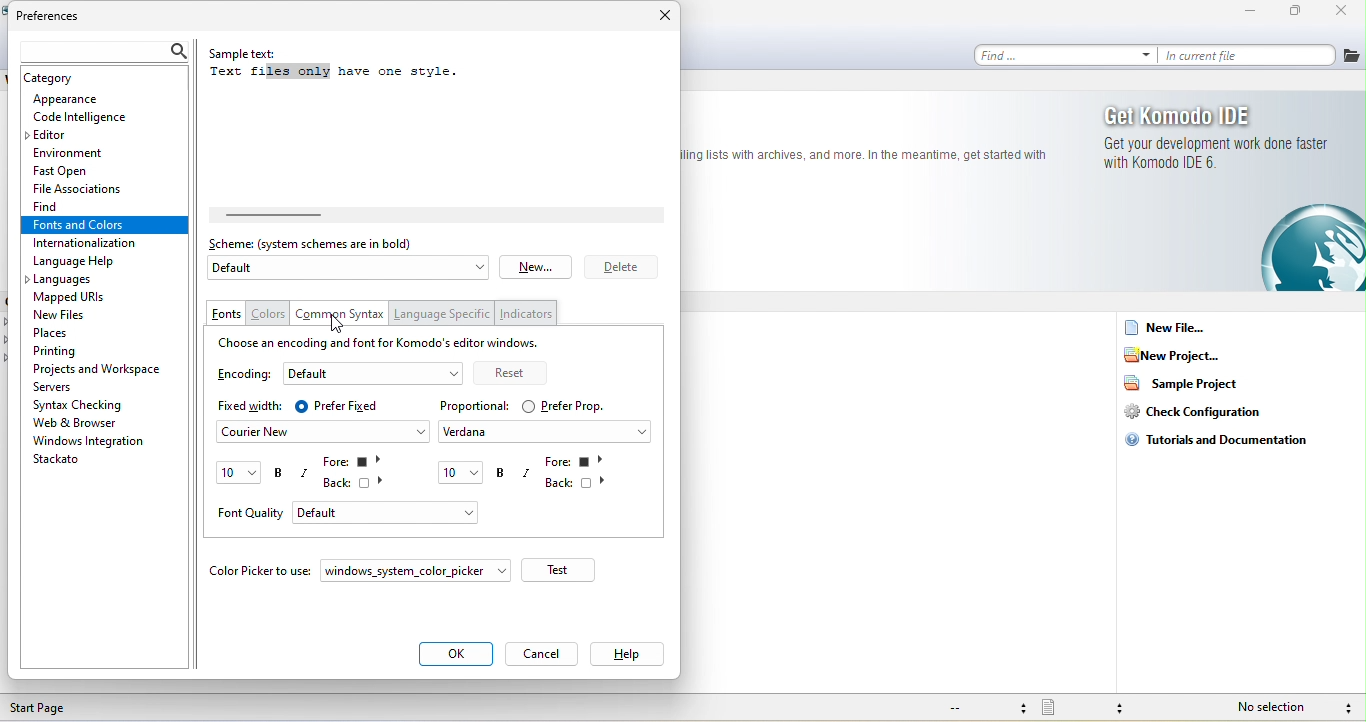 Image resolution: width=1366 pixels, height=722 pixels. Describe the element at coordinates (240, 475) in the screenshot. I see `10` at that location.